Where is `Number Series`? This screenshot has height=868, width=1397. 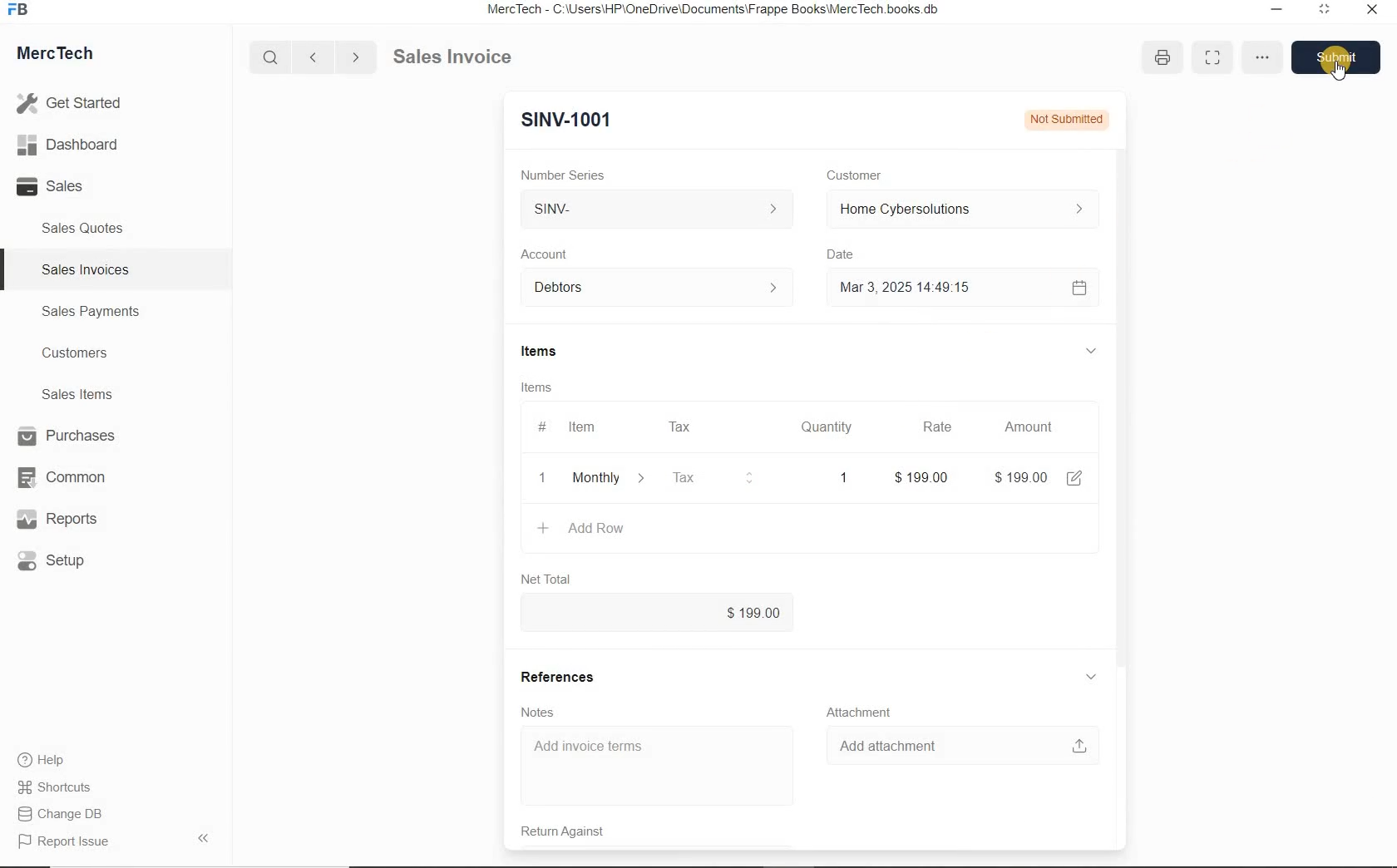 Number Series is located at coordinates (568, 175).